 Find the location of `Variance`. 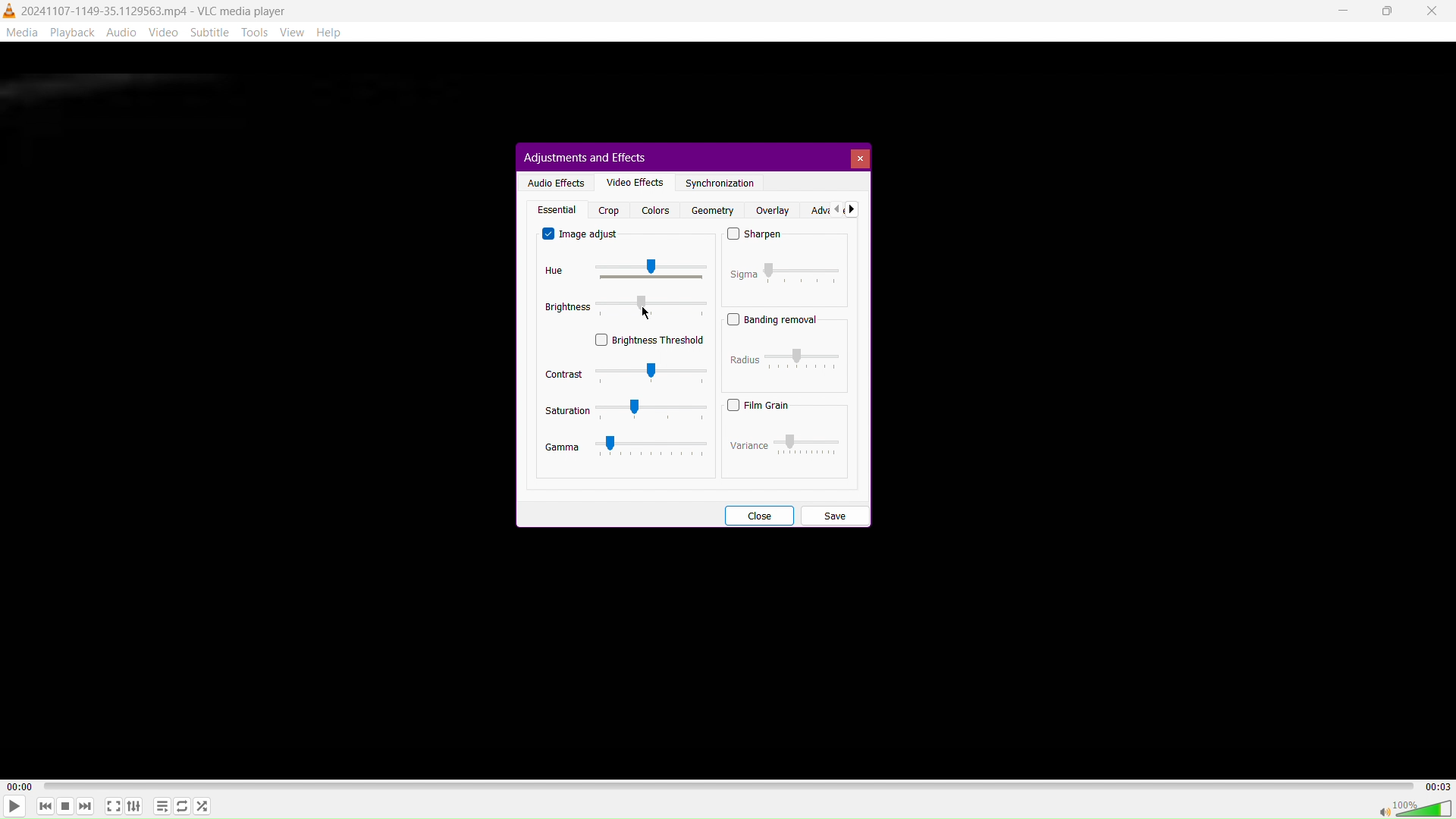

Variance is located at coordinates (783, 443).